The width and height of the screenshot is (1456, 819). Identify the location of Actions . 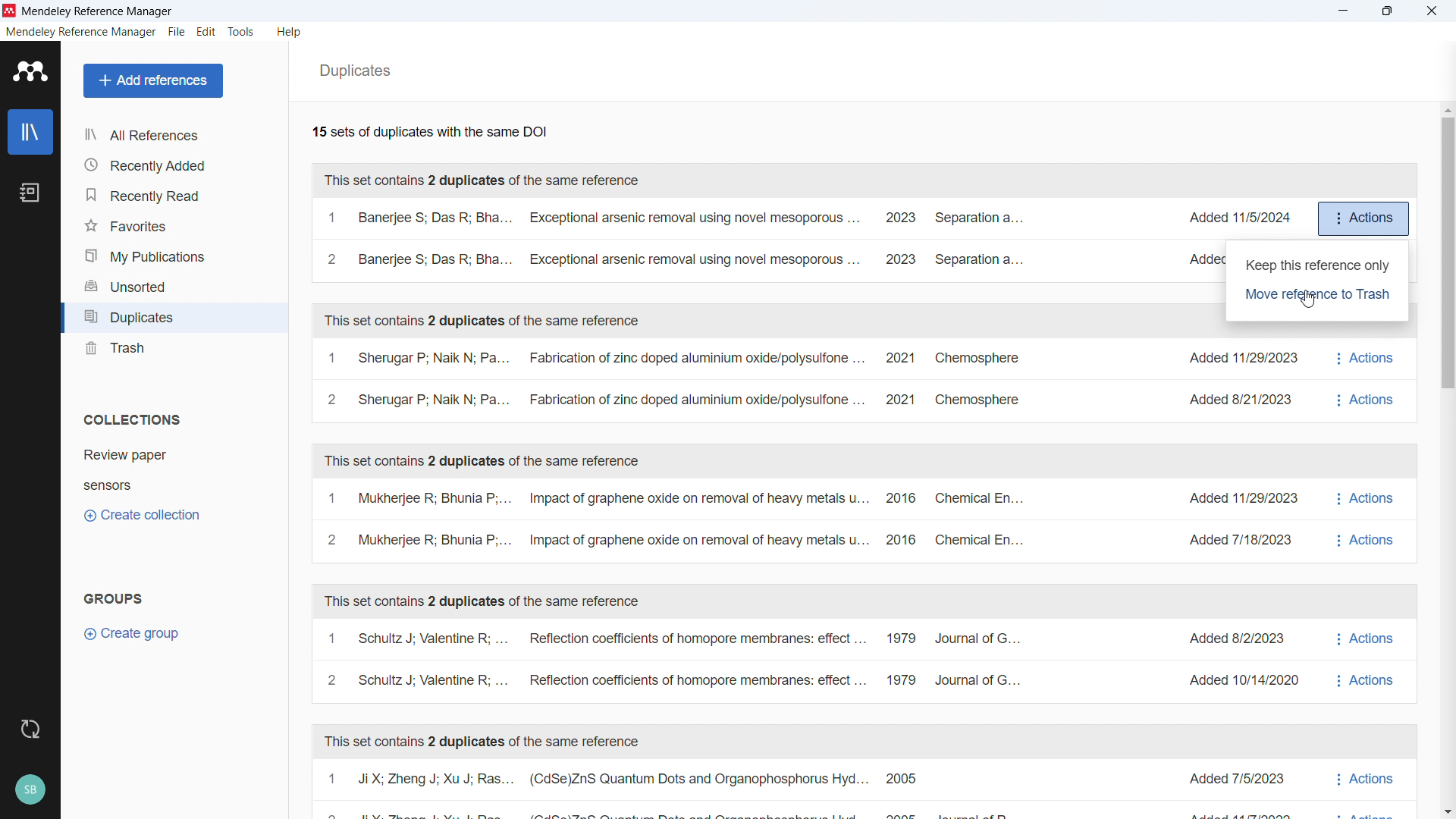
(1363, 521).